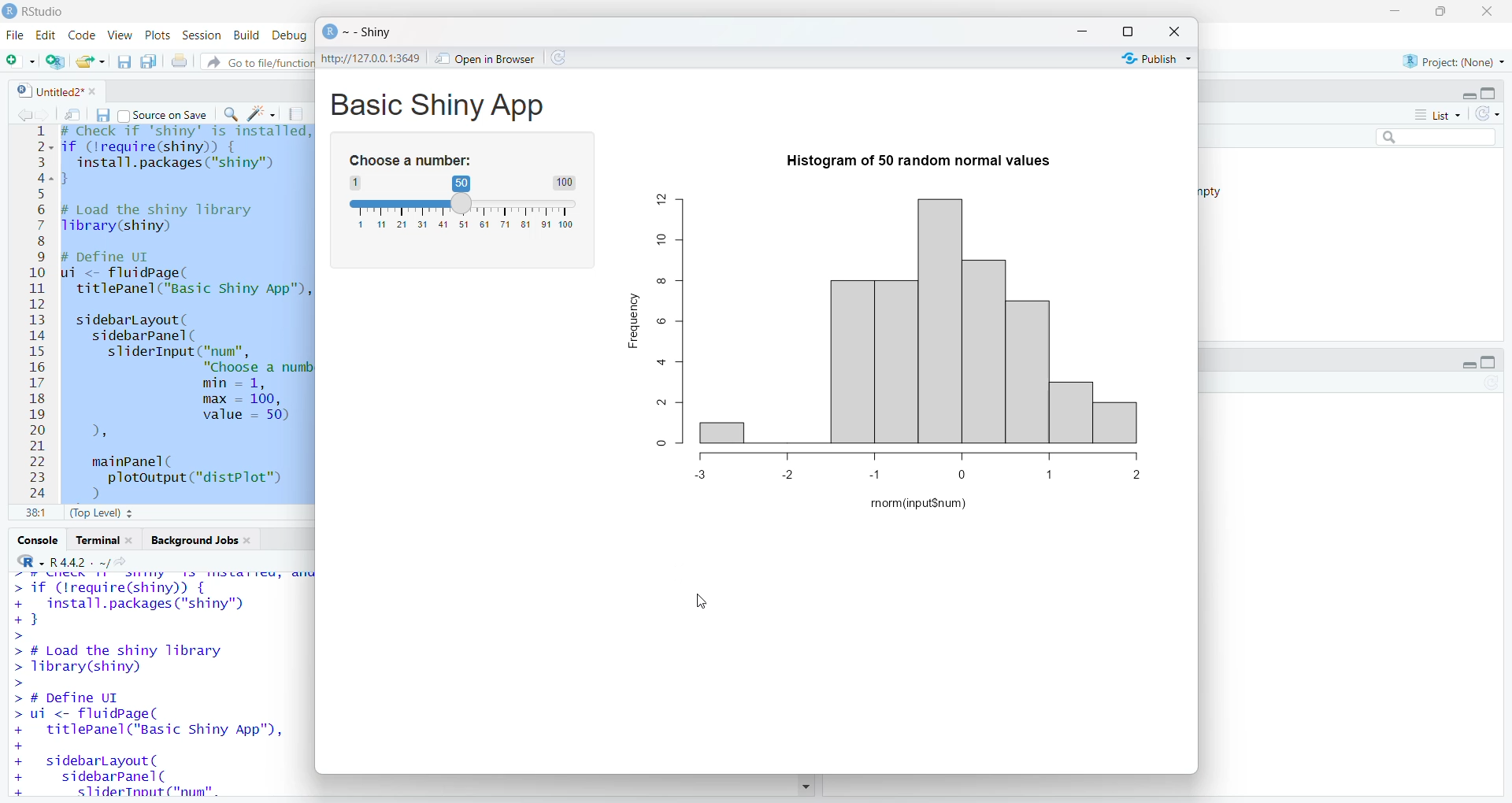 The height and width of the screenshot is (803, 1512). What do you see at coordinates (1488, 113) in the screenshot?
I see `refresh` at bounding box center [1488, 113].